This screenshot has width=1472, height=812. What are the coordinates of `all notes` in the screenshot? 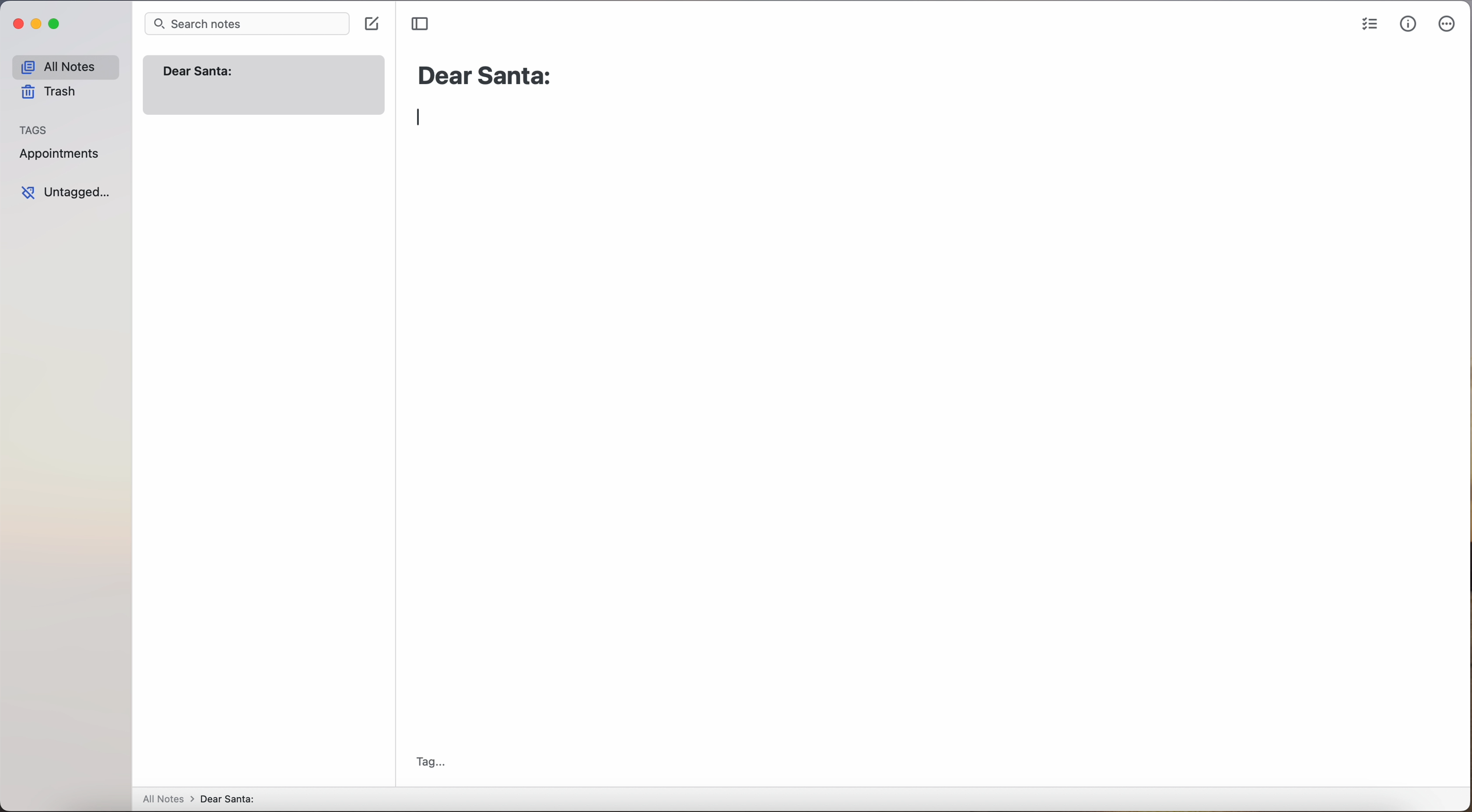 It's located at (67, 66).